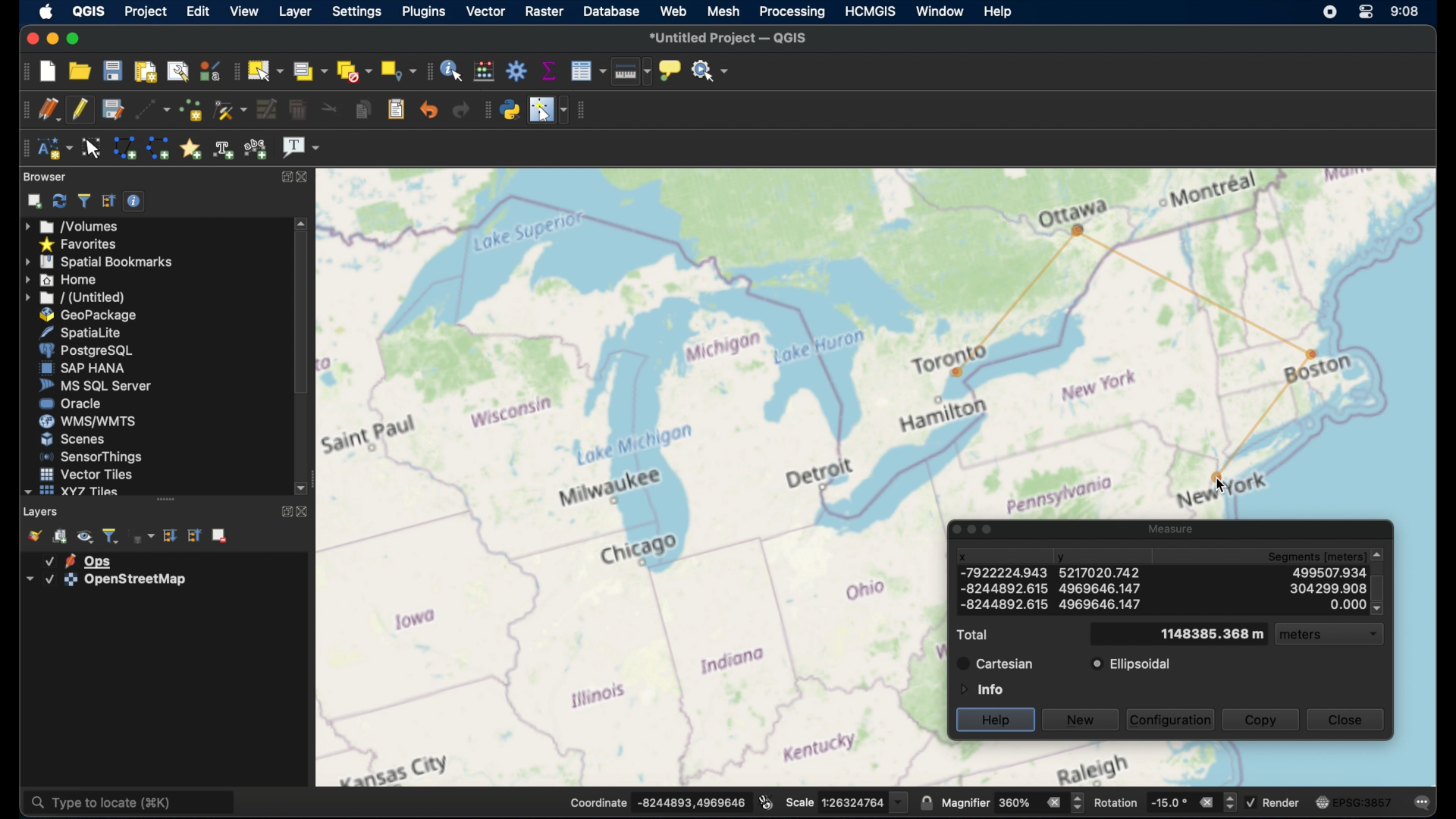 The image size is (1456, 819). I want to click on segments, so click(1332, 571).